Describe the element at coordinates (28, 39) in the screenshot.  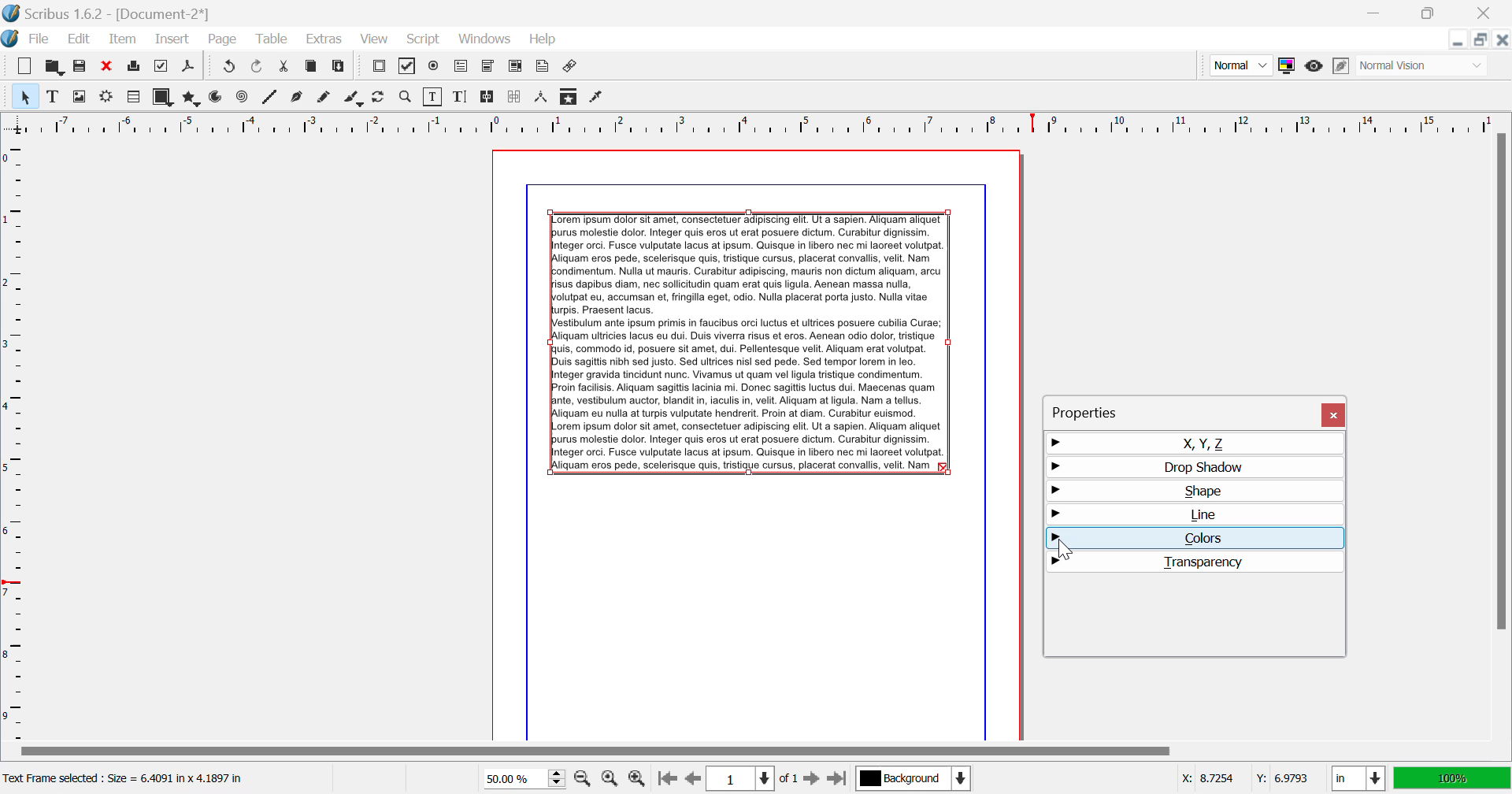
I see `File` at that location.